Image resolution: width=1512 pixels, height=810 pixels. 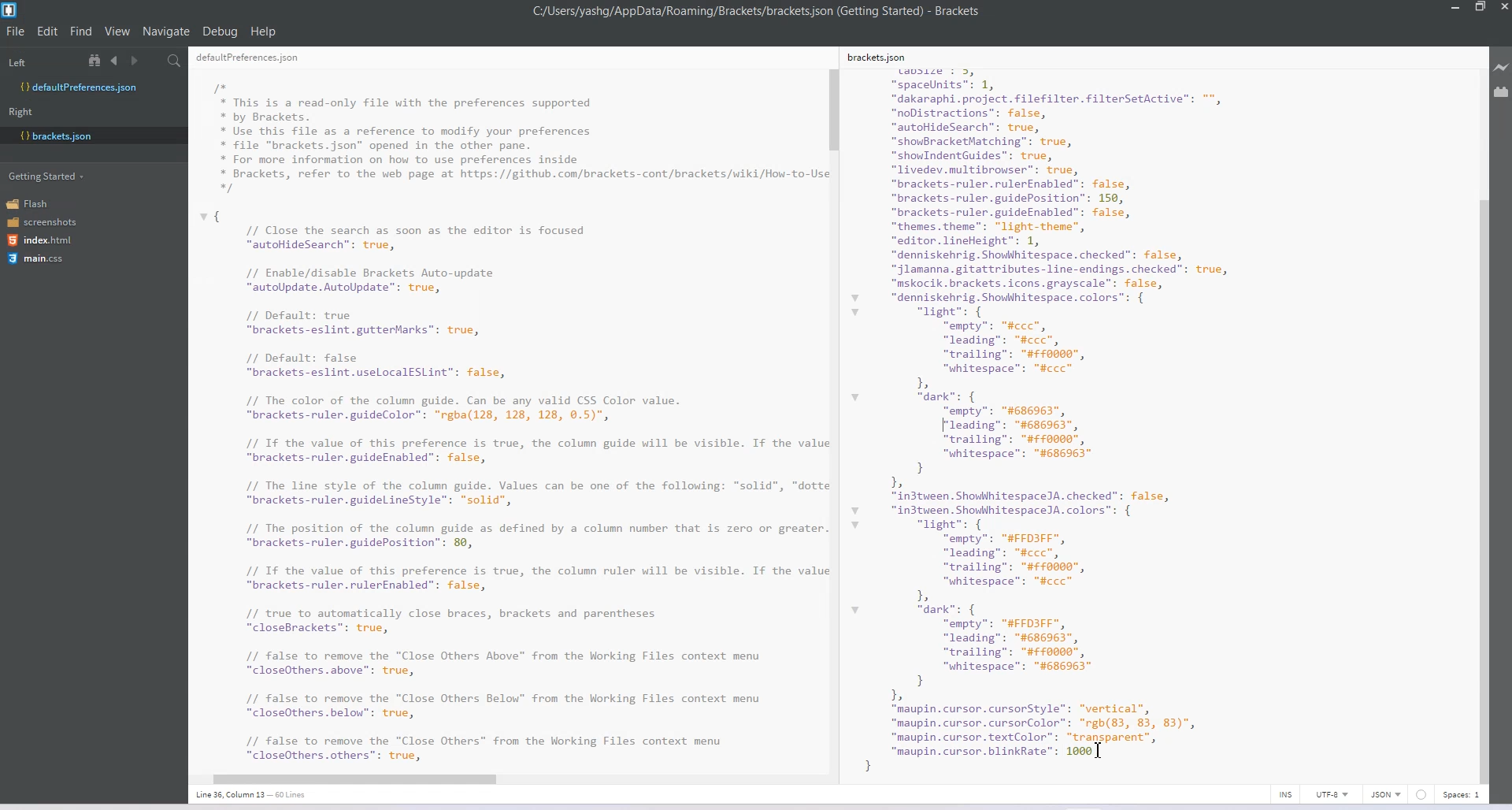 What do you see at coordinates (20, 112) in the screenshot?
I see `Right` at bounding box center [20, 112].